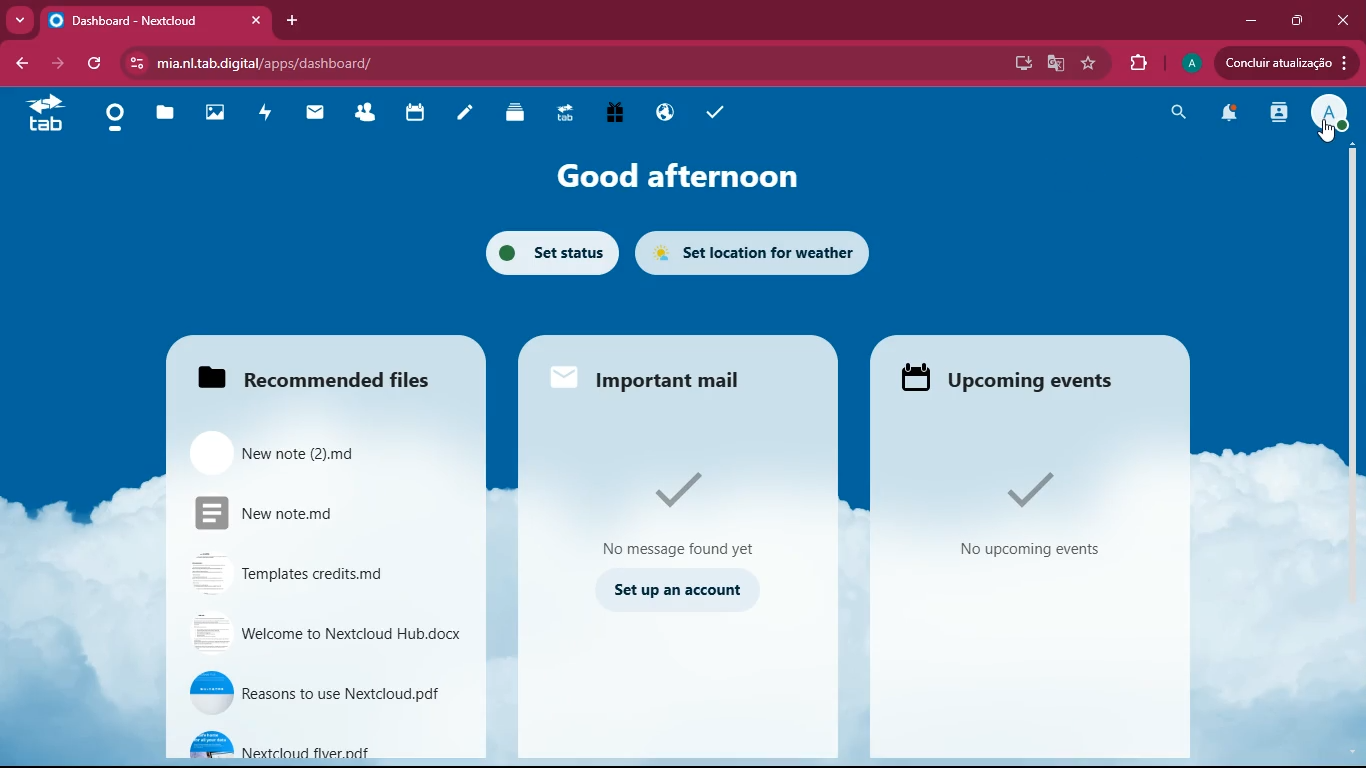  Describe the element at coordinates (311, 385) in the screenshot. I see `Recommended Files` at that location.